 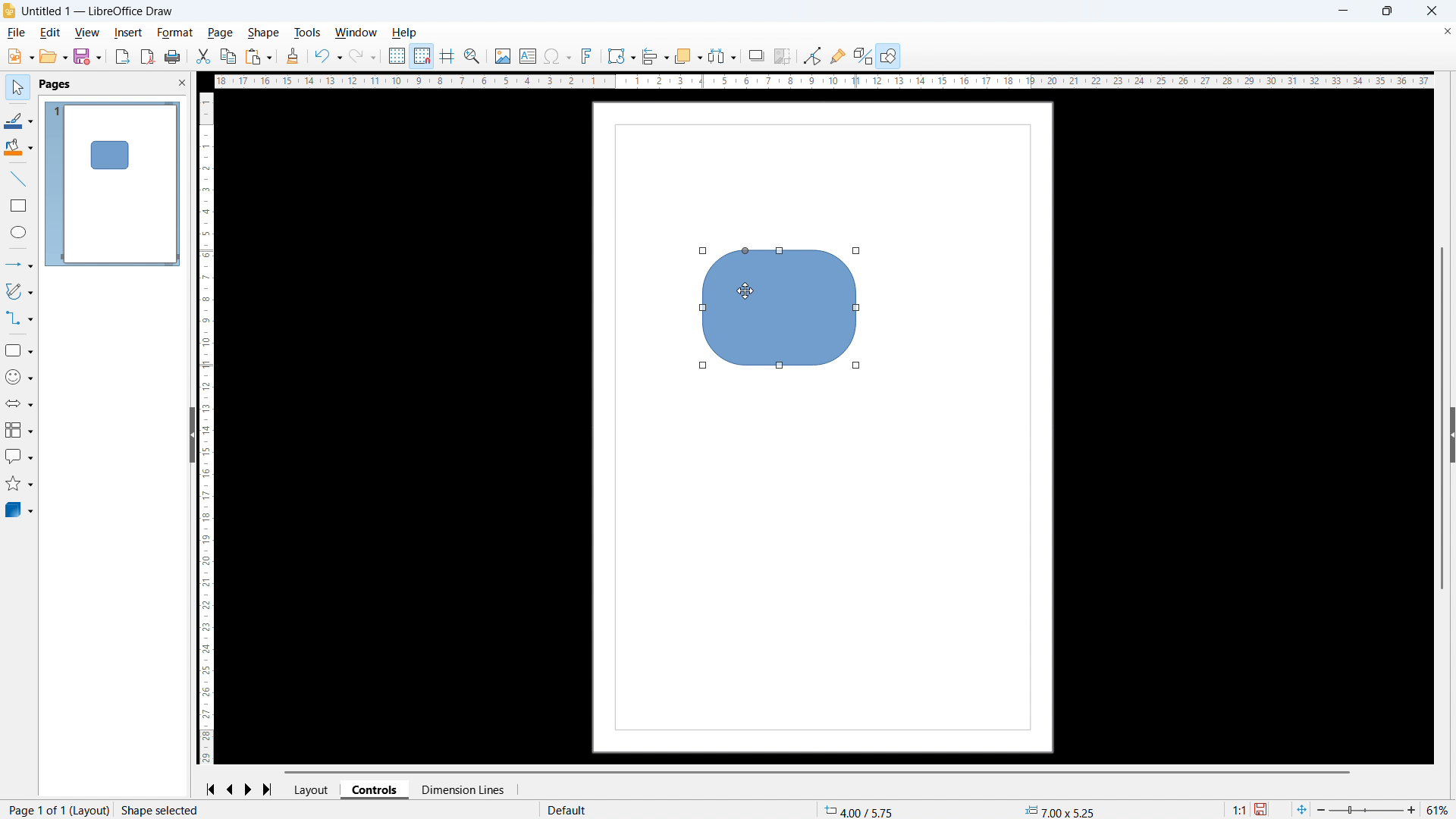 What do you see at coordinates (207, 428) in the screenshot?
I see `Vertical ruler ` at bounding box center [207, 428].